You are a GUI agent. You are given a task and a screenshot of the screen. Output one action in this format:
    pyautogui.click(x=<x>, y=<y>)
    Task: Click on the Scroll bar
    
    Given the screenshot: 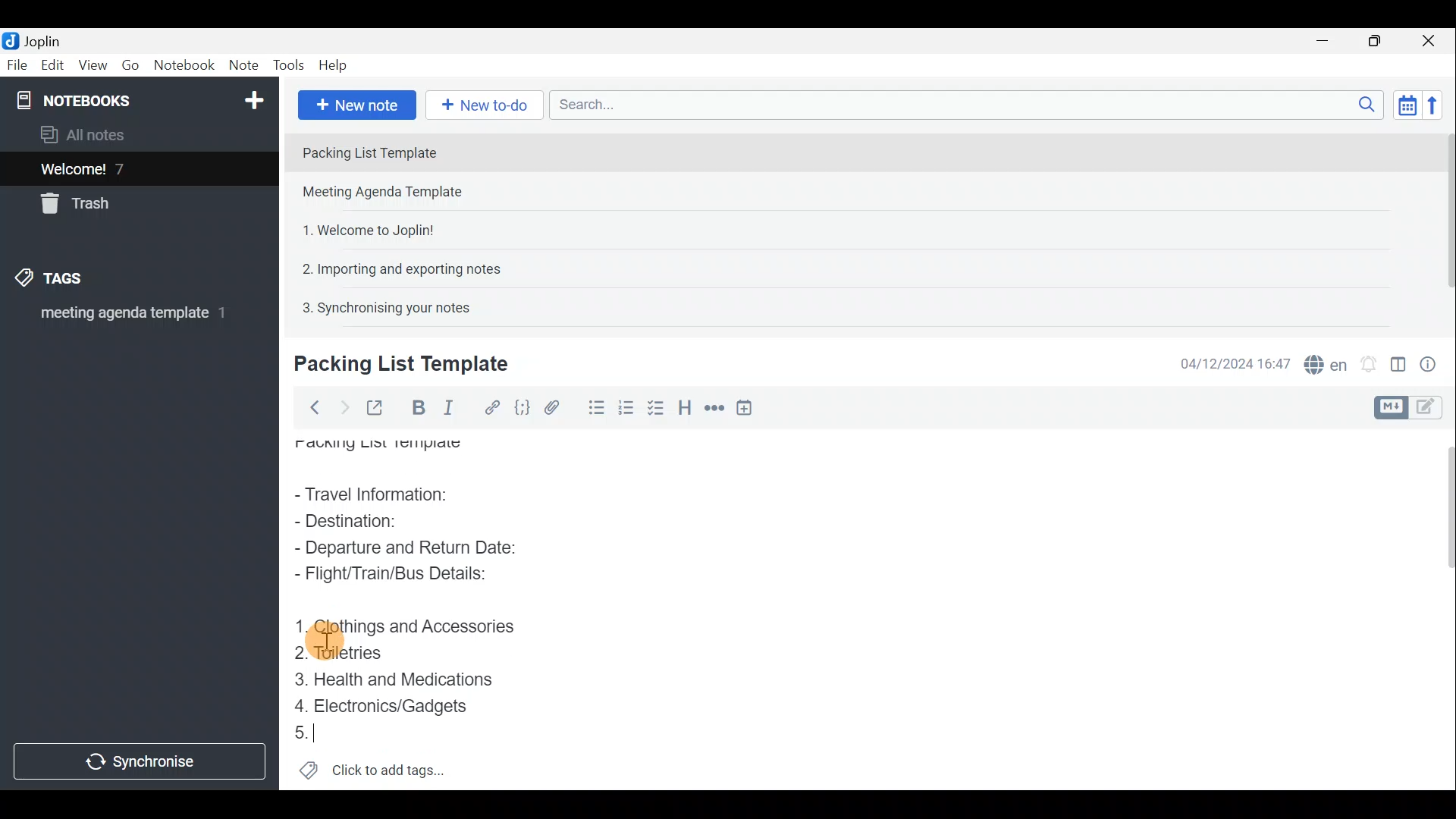 What is the action you would take?
    pyautogui.click(x=1442, y=607)
    